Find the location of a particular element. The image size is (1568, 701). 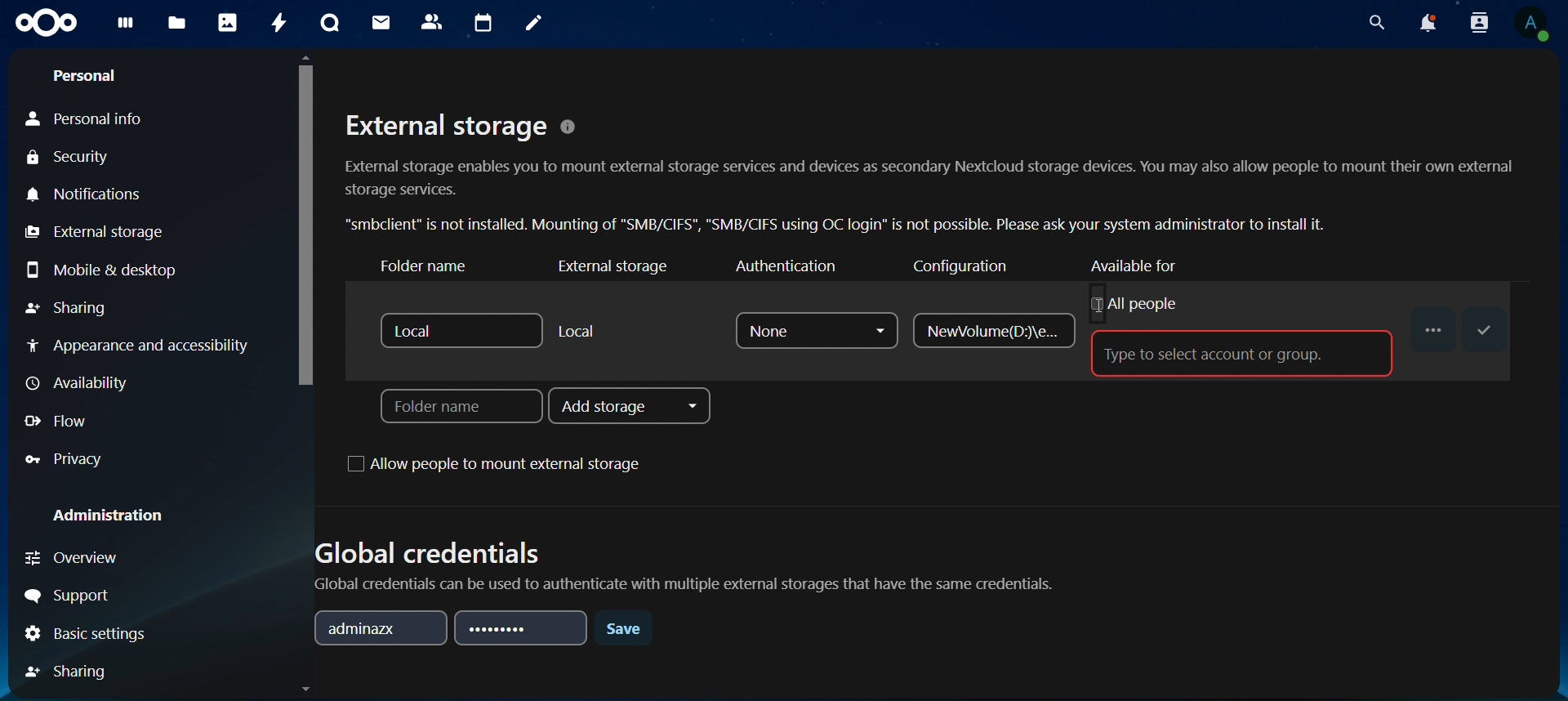

folder name is located at coordinates (440, 267).